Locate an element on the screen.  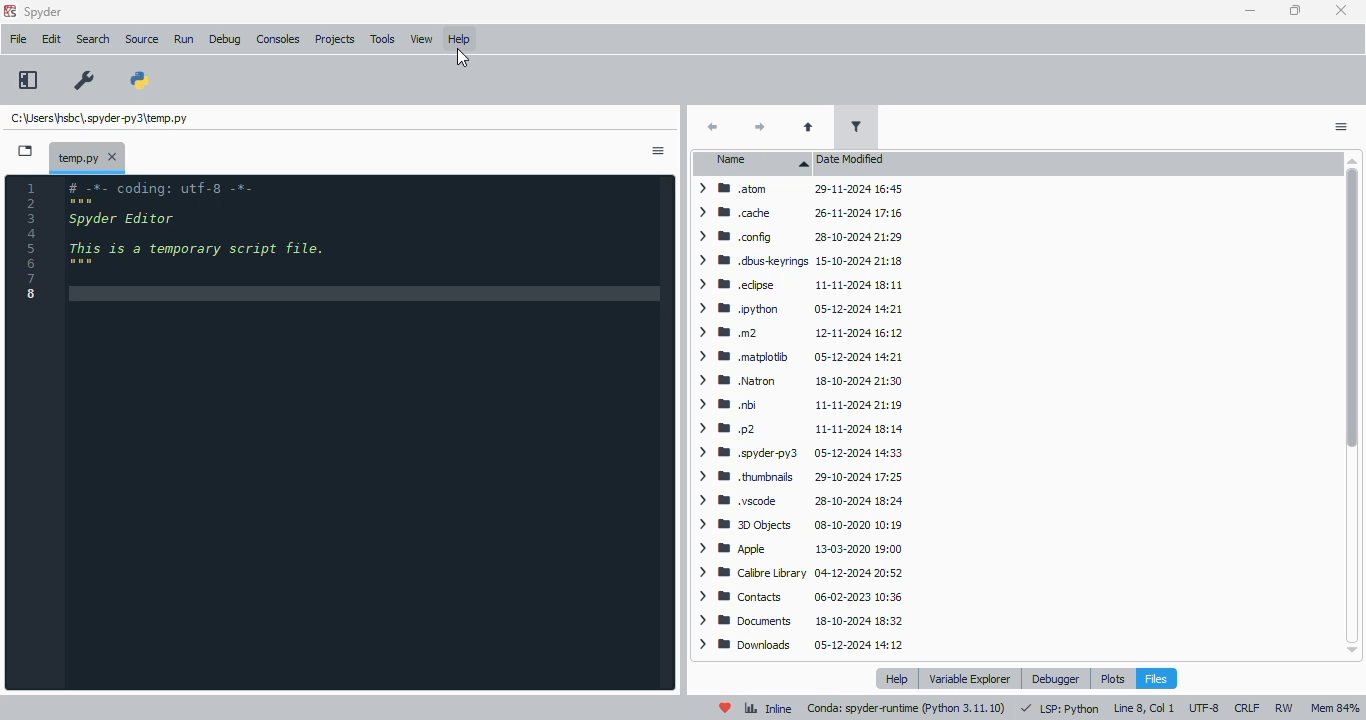
> BB .vscode 28-10-2024 18:24 is located at coordinates (798, 500).